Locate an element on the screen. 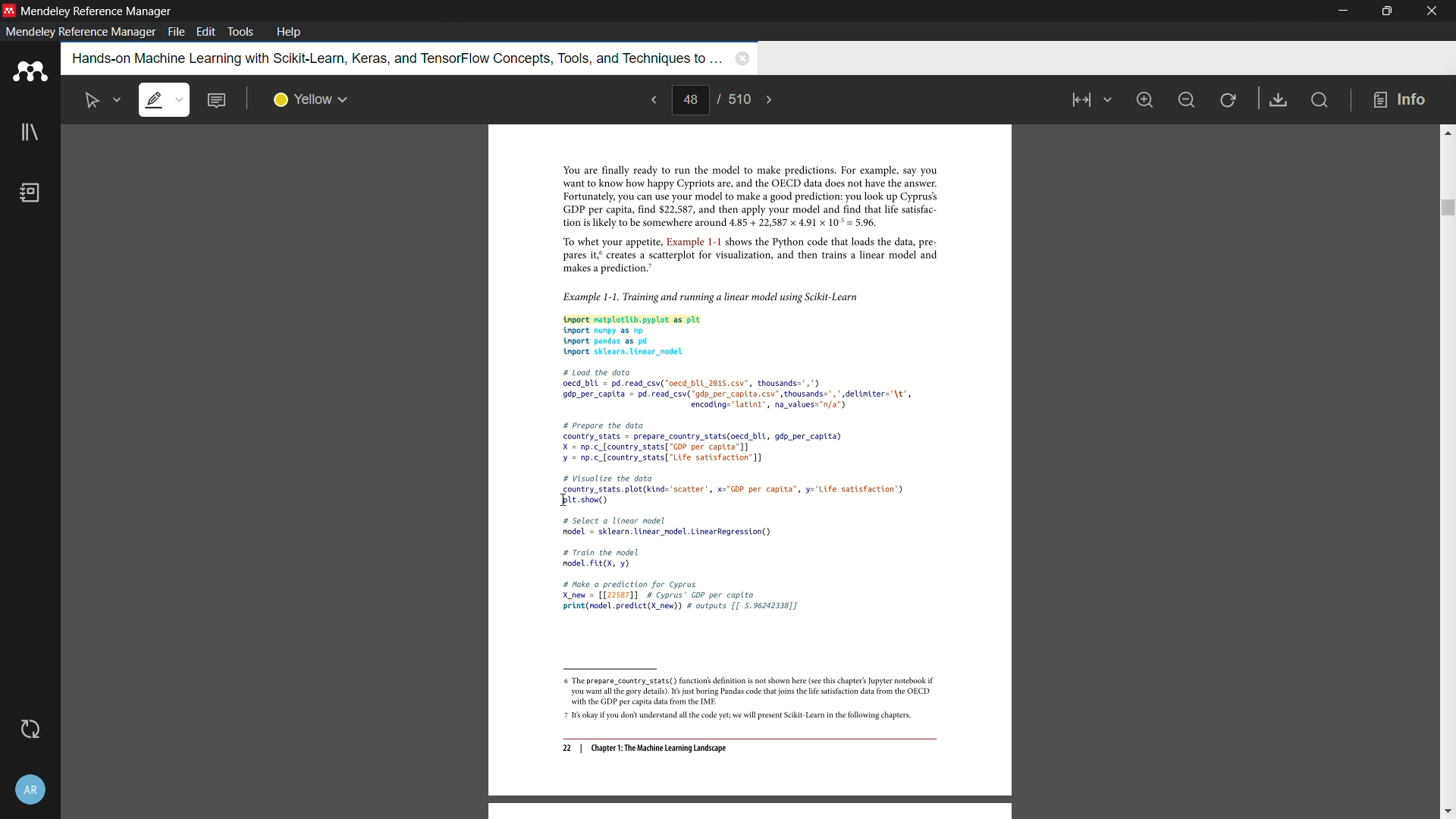  app icon is located at coordinates (9, 10).